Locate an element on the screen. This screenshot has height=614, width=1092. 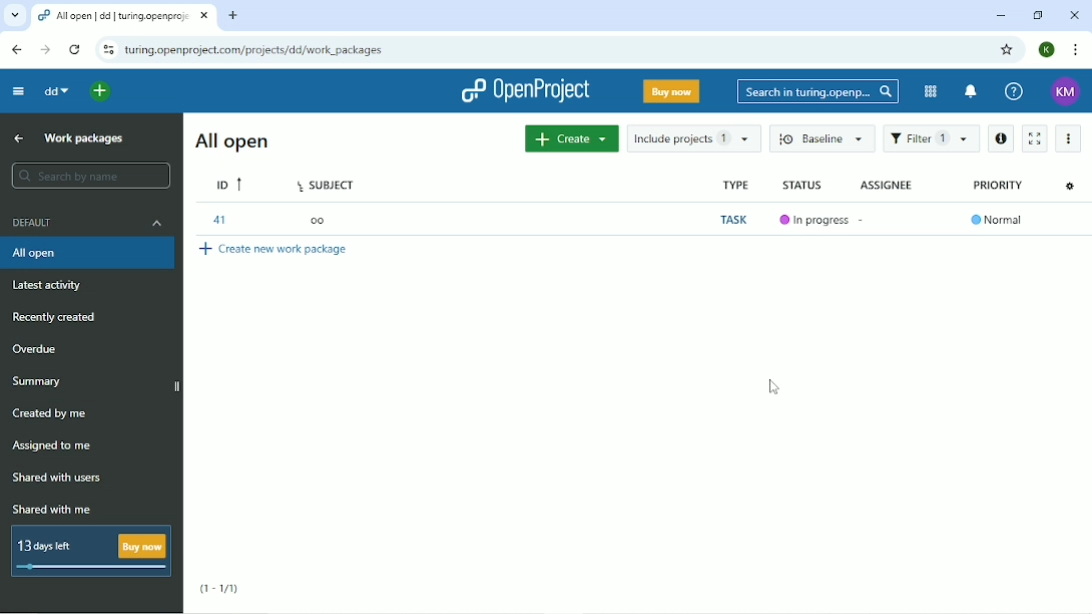
Summary is located at coordinates (37, 382).